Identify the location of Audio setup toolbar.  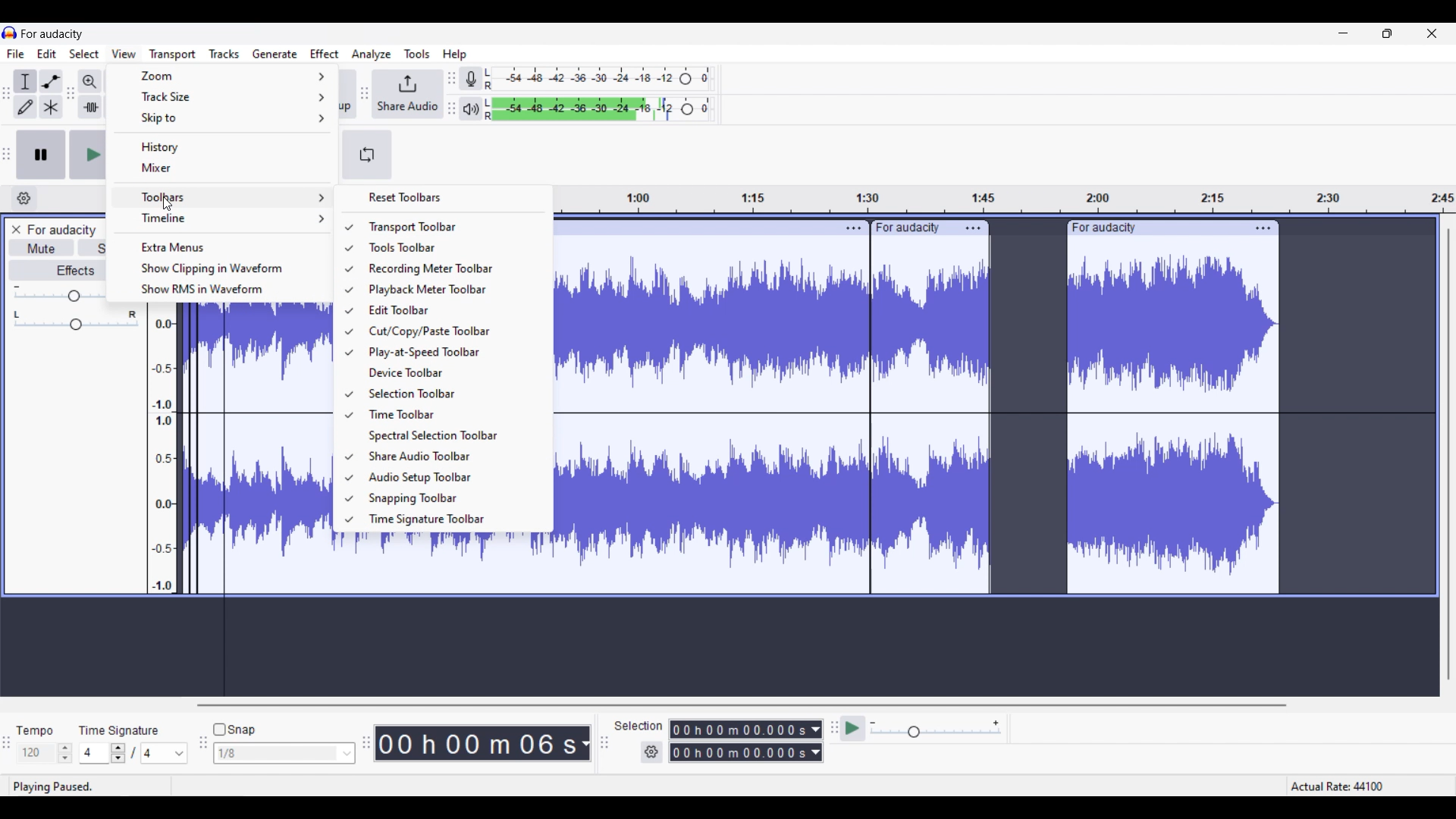
(450, 478).